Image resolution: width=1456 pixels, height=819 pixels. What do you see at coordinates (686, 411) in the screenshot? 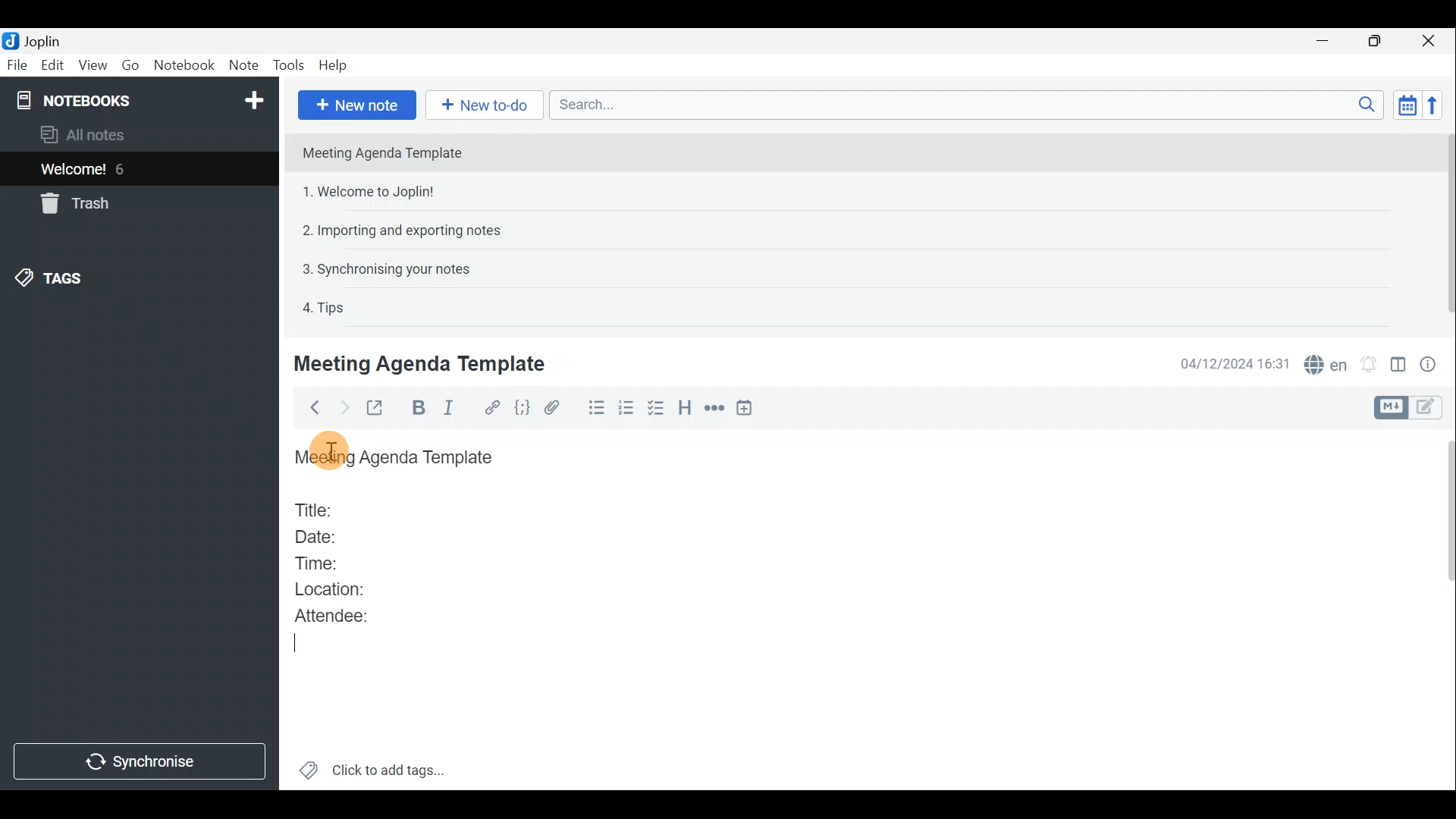
I see `Heading` at bounding box center [686, 411].